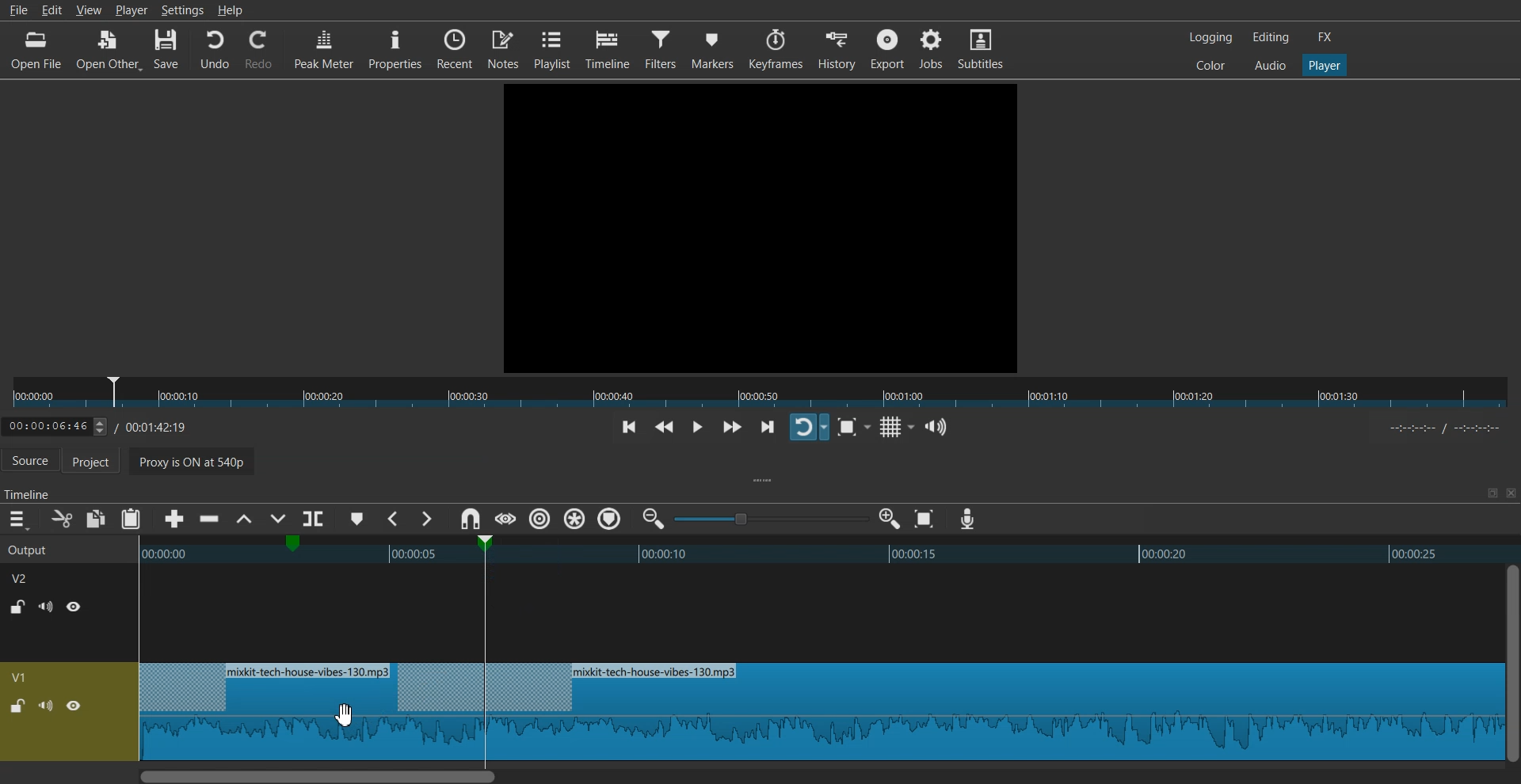 Image resolution: width=1521 pixels, height=784 pixels. Describe the element at coordinates (17, 706) in the screenshot. I see `Lock / UnLock` at that location.